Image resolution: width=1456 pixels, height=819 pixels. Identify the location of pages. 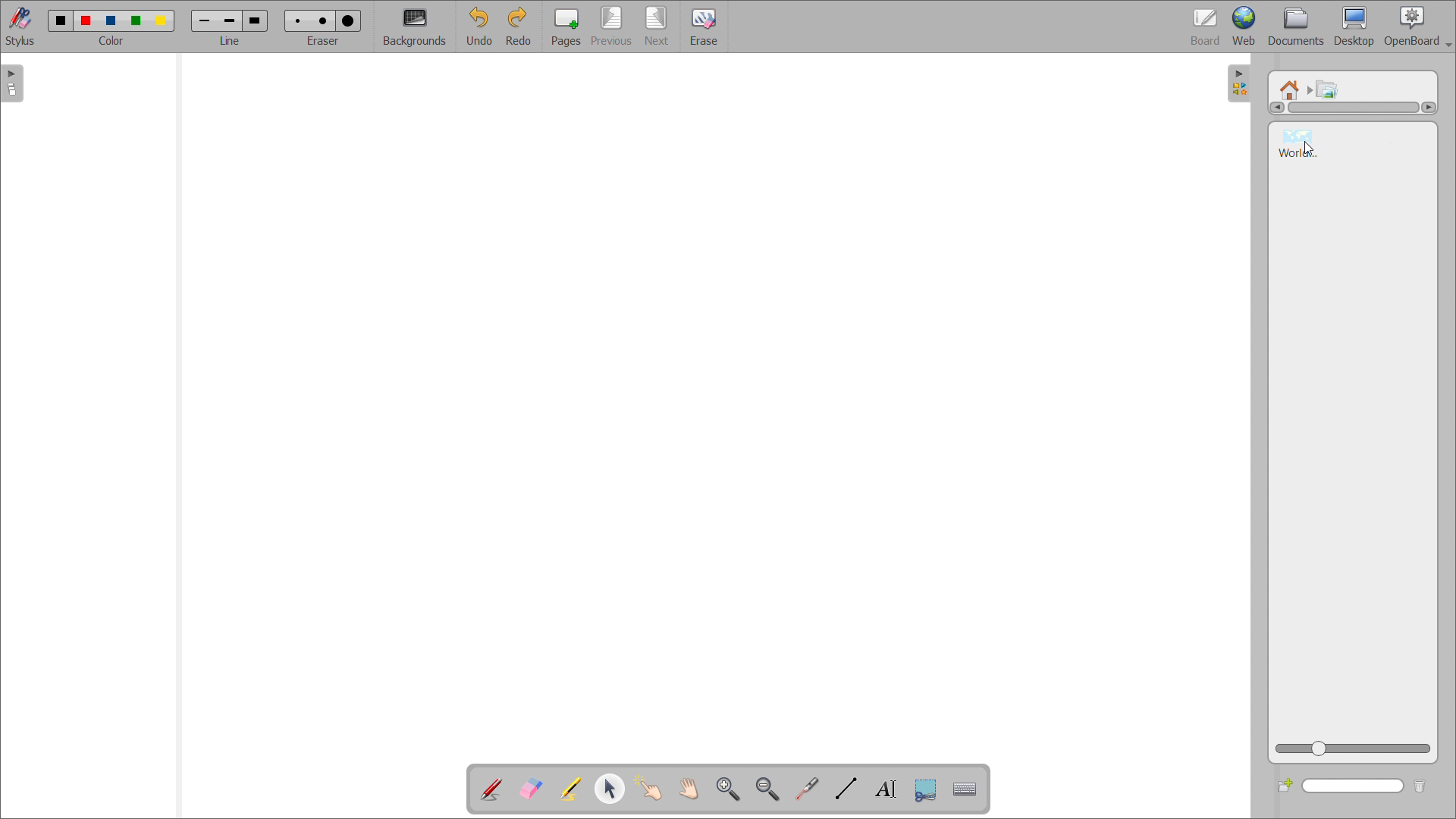
(566, 27).